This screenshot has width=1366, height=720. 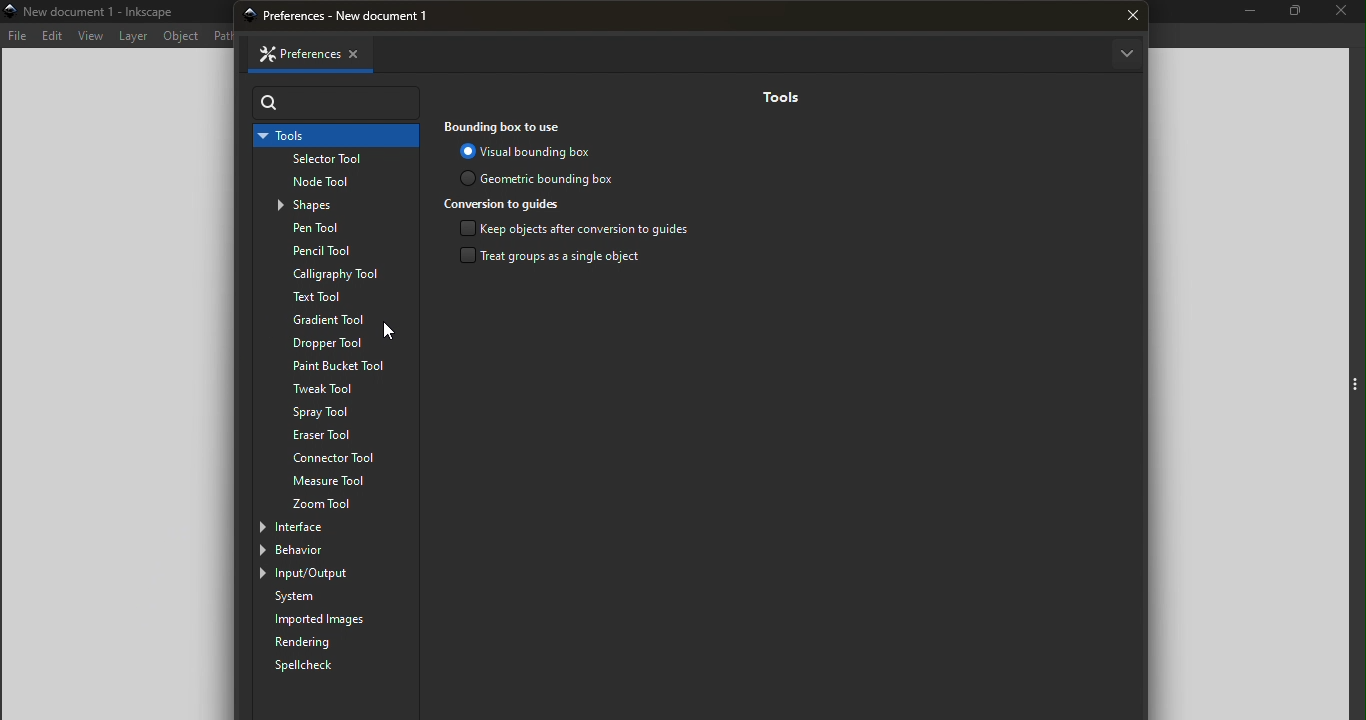 What do you see at coordinates (339, 183) in the screenshot?
I see `Node` at bounding box center [339, 183].